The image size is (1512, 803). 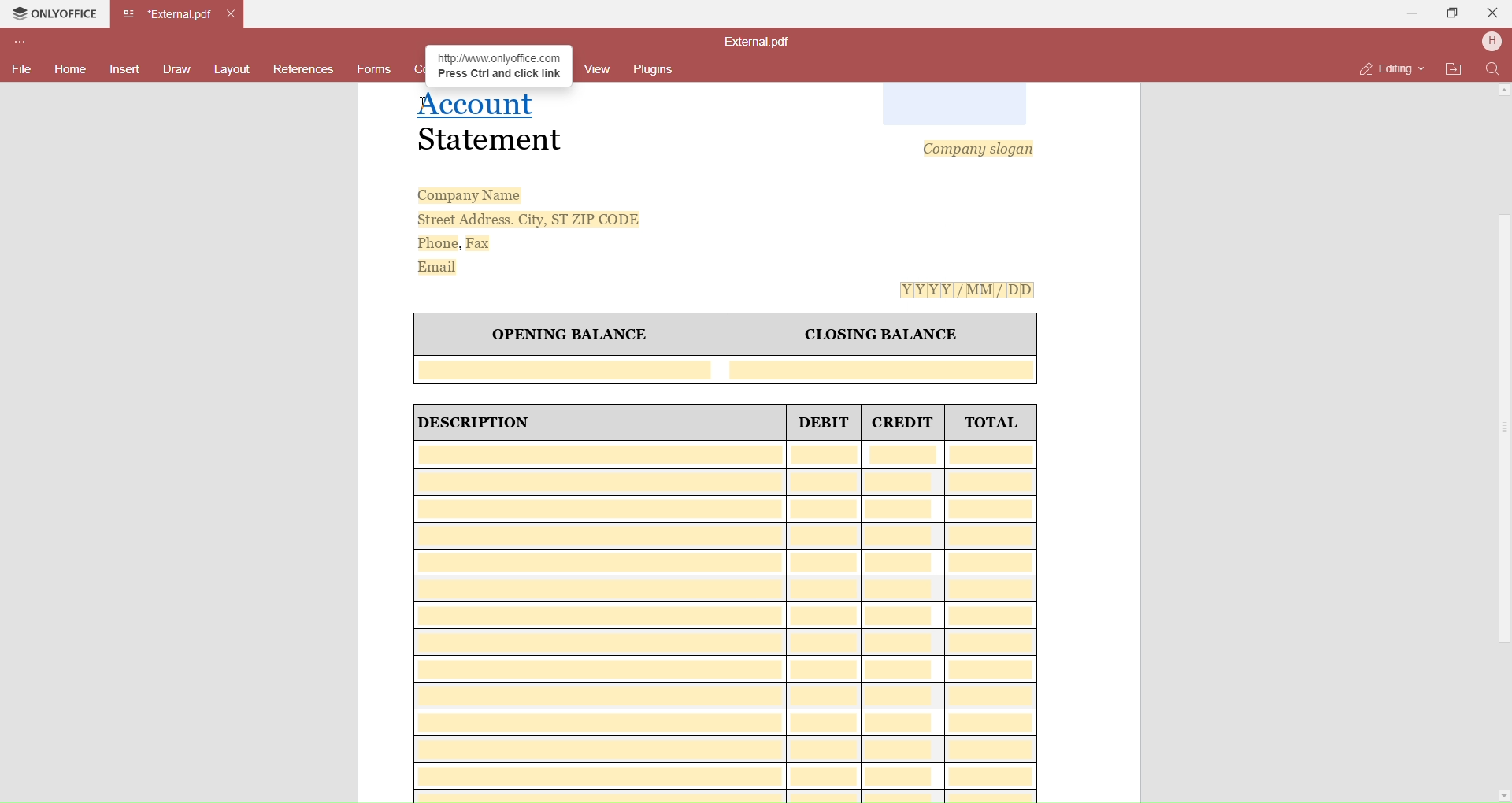 I want to click on Layouts, so click(x=233, y=70).